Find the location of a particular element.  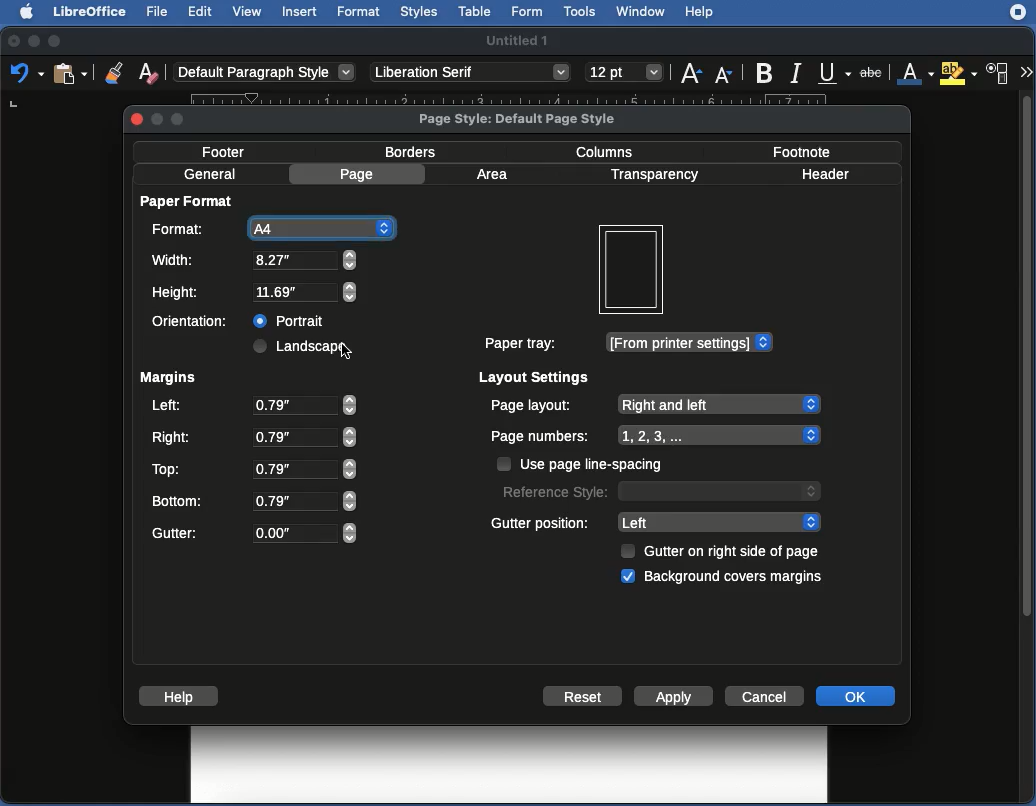

use Page line spacing  is located at coordinates (600, 464).